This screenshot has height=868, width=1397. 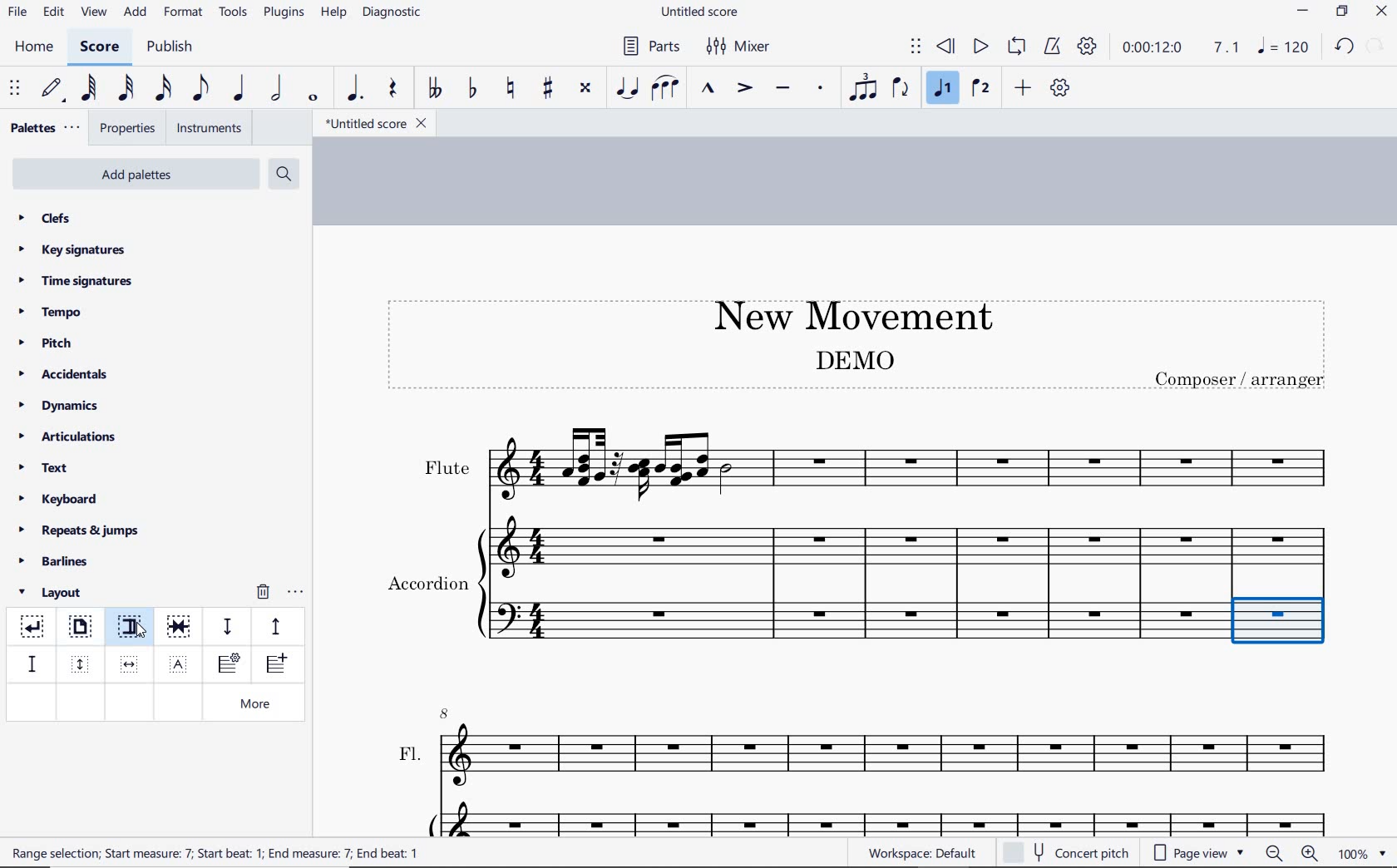 What do you see at coordinates (916, 47) in the screenshot?
I see `select to move` at bounding box center [916, 47].